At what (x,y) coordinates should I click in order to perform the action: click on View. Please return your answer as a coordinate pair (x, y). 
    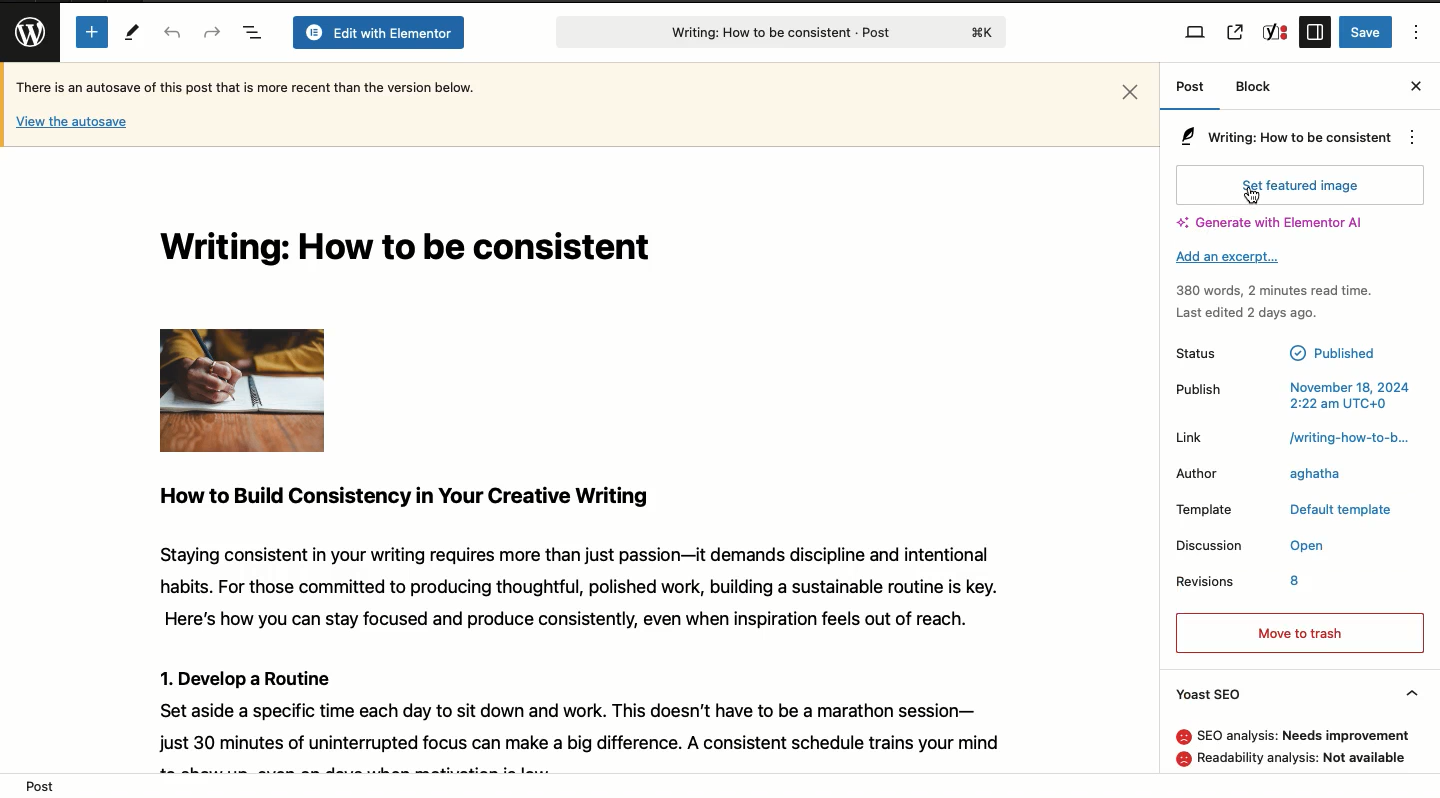
    Looking at the image, I should click on (1197, 32).